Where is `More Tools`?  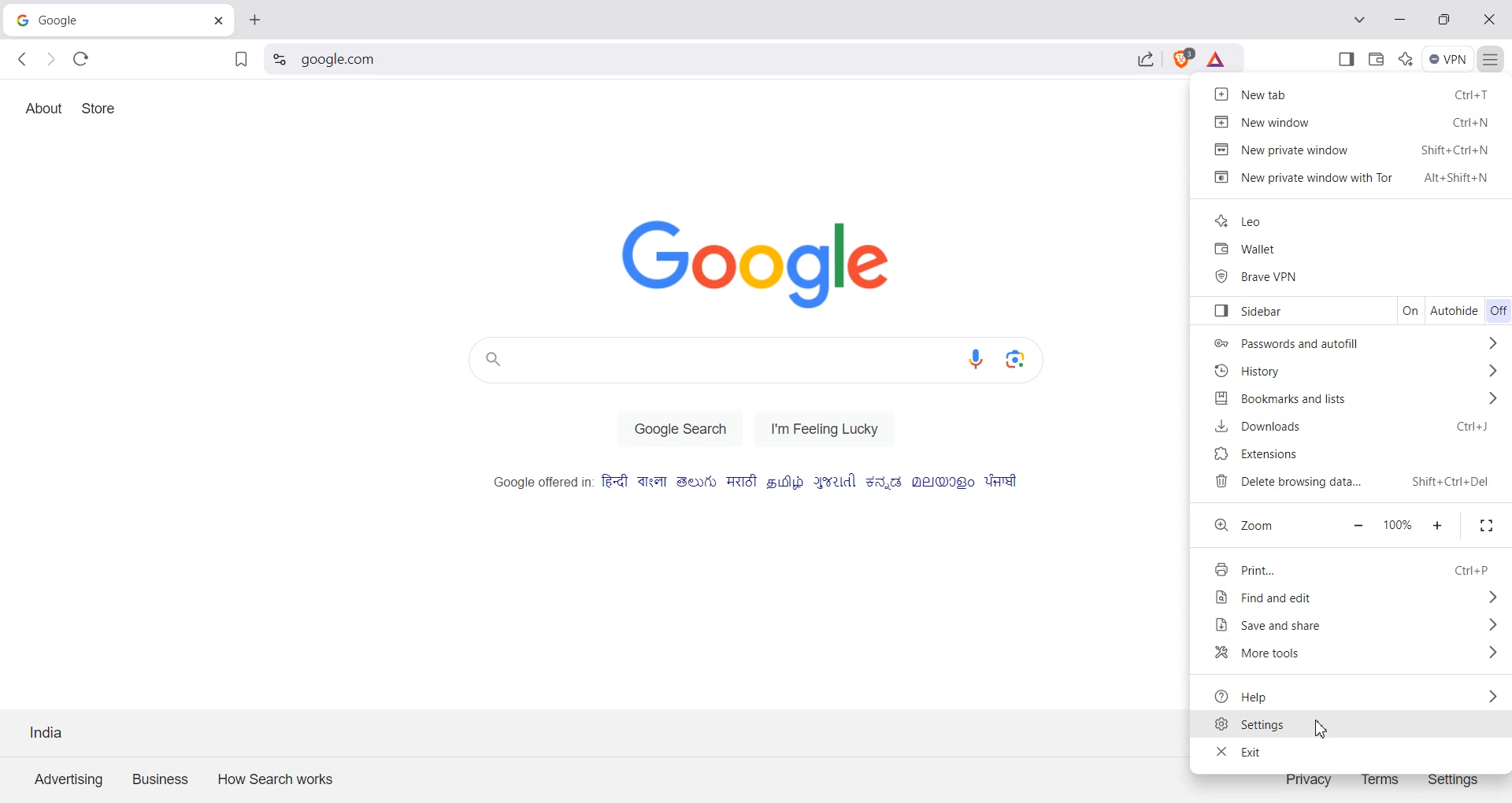
More Tools is located at coordinates (1354, 654).